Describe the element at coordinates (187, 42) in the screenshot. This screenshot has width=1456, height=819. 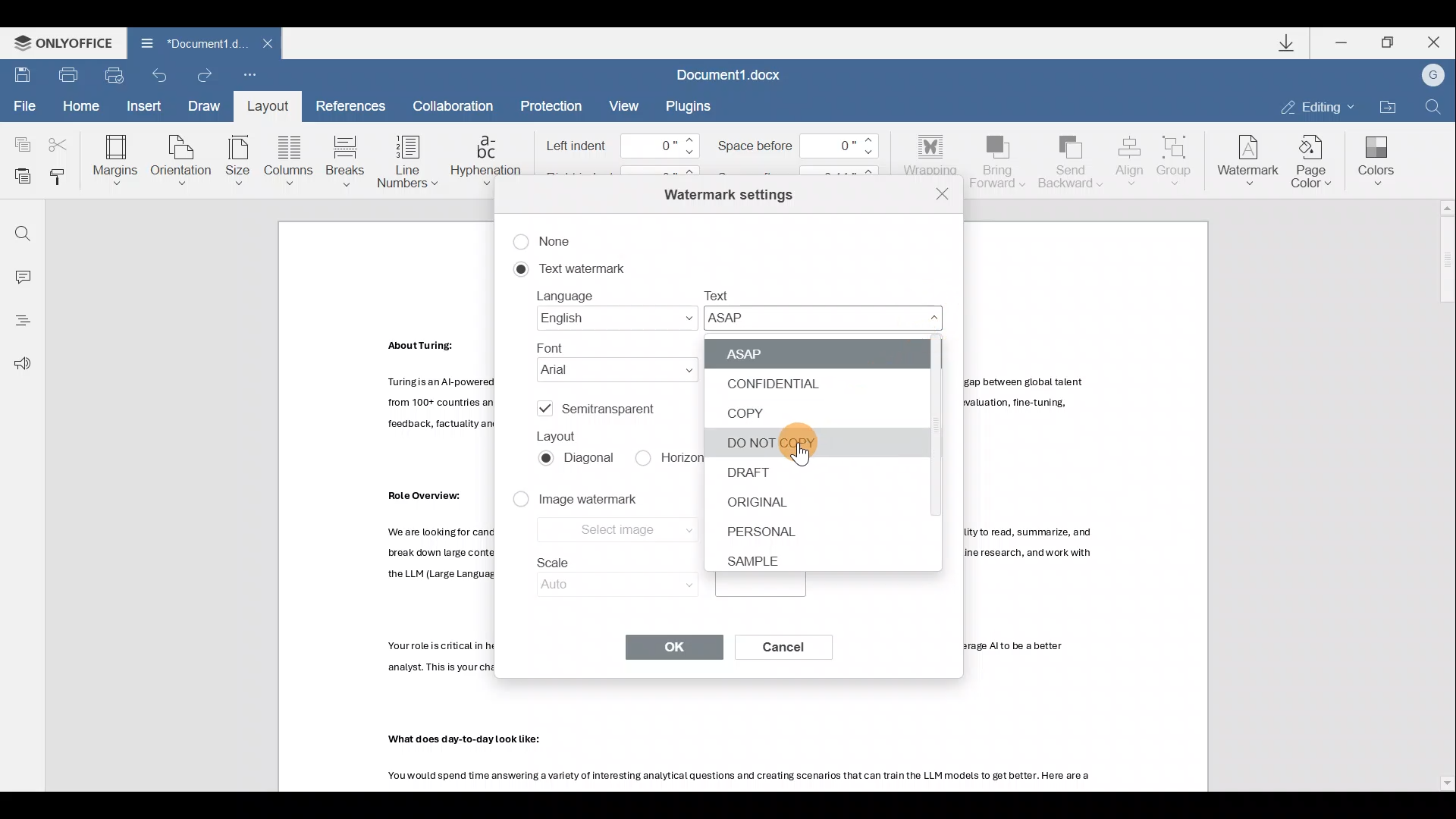
I see `Document1 d.` at that location.